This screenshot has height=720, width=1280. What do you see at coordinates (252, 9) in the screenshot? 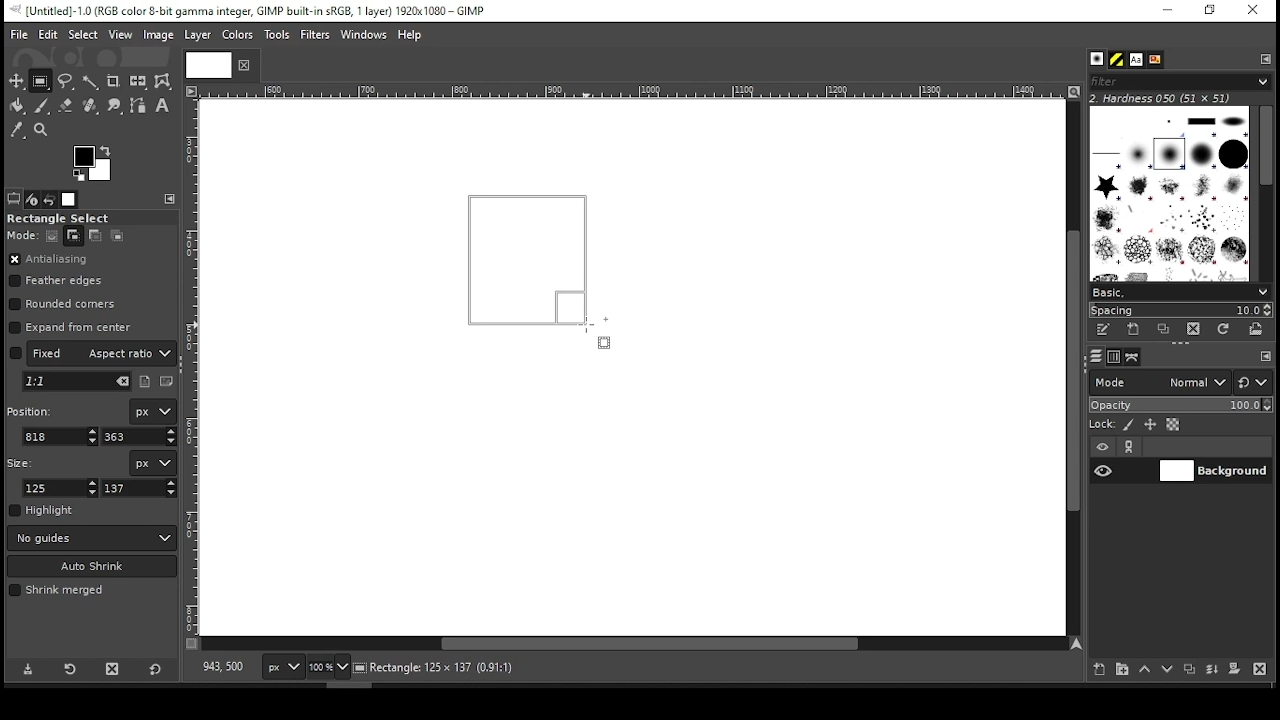
I see `icon and filename` at bounding box center [252, 9].